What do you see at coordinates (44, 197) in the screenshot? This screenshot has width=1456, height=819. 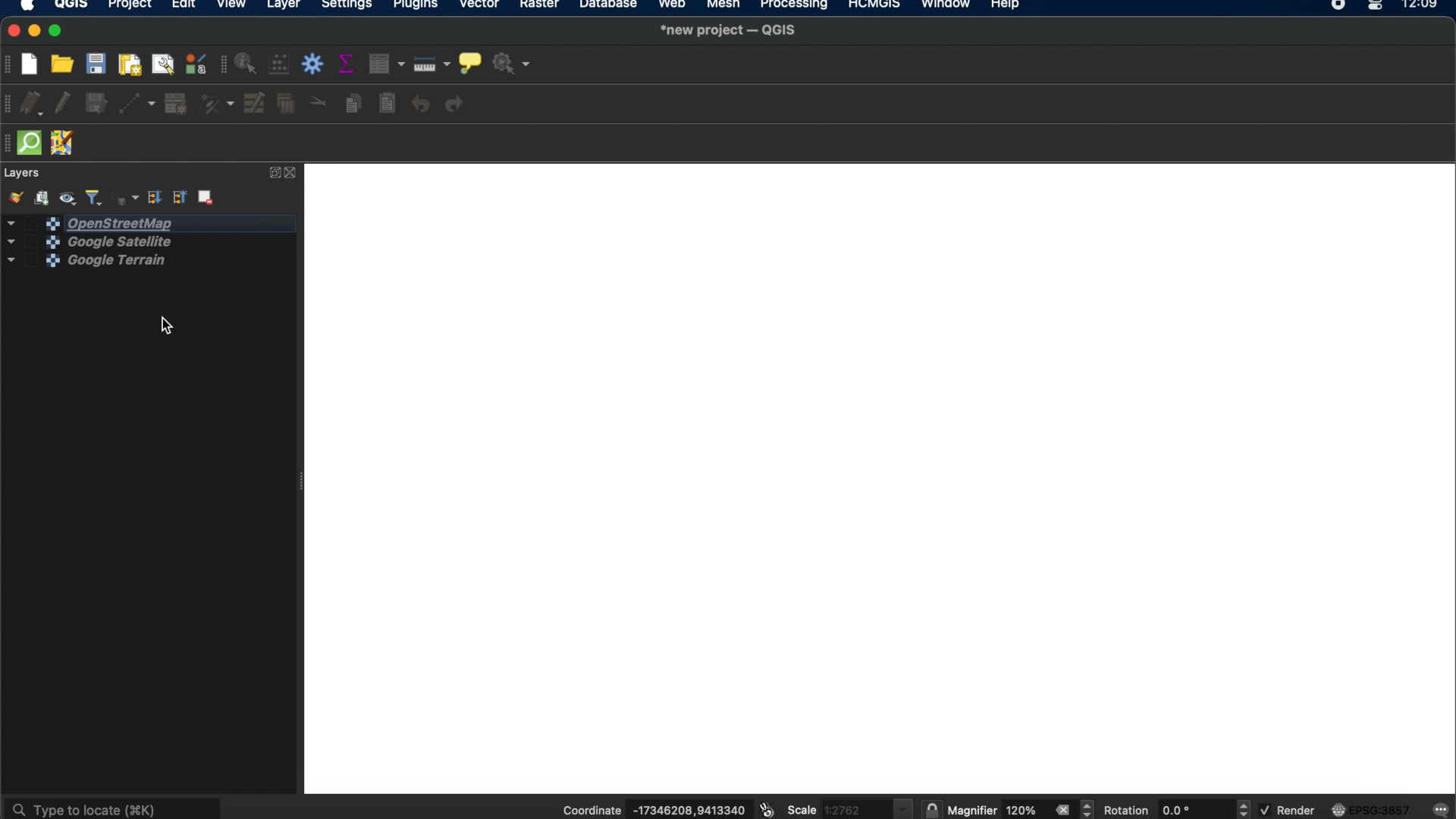 I see `add group` at bounding box center [44, 197].